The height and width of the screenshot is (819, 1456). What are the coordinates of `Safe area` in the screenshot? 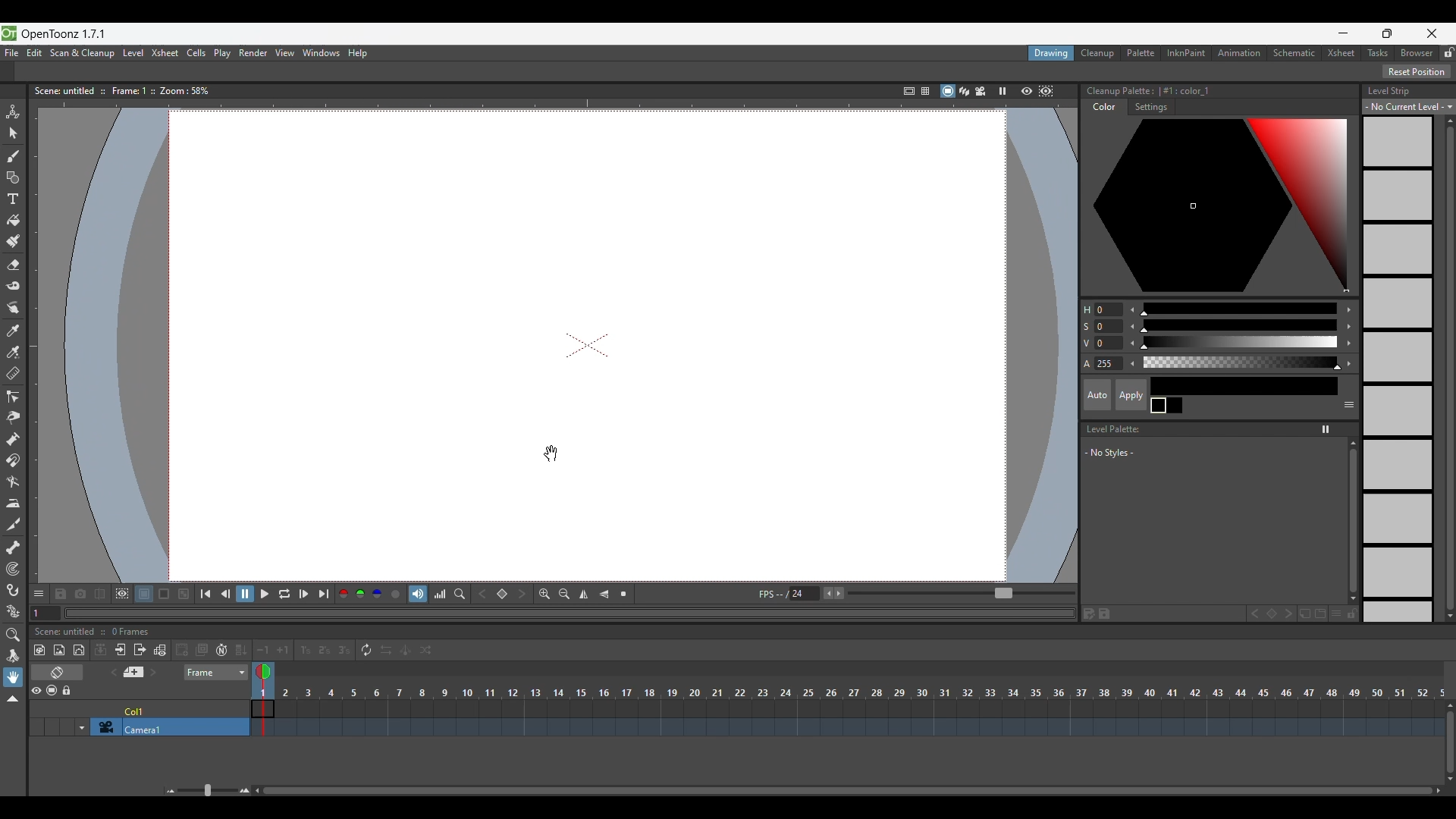 It's located at (902, 89).